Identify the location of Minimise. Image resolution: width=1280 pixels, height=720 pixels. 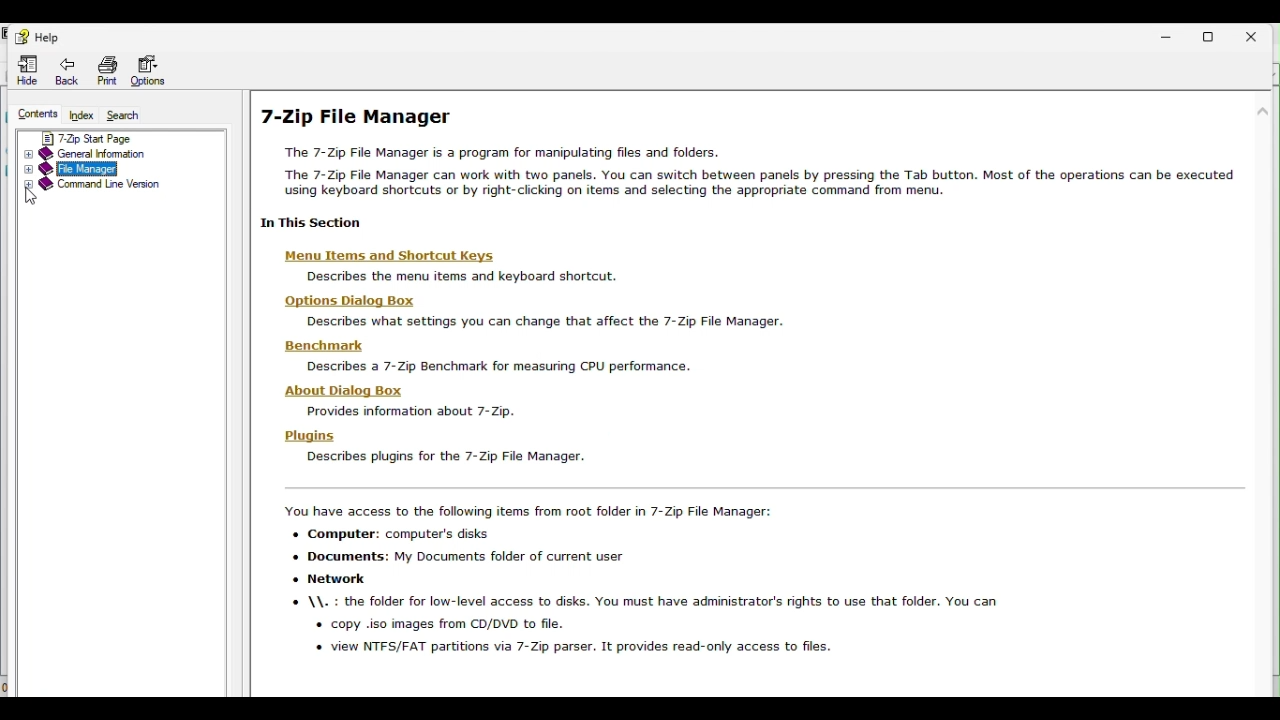
(1168, 37).